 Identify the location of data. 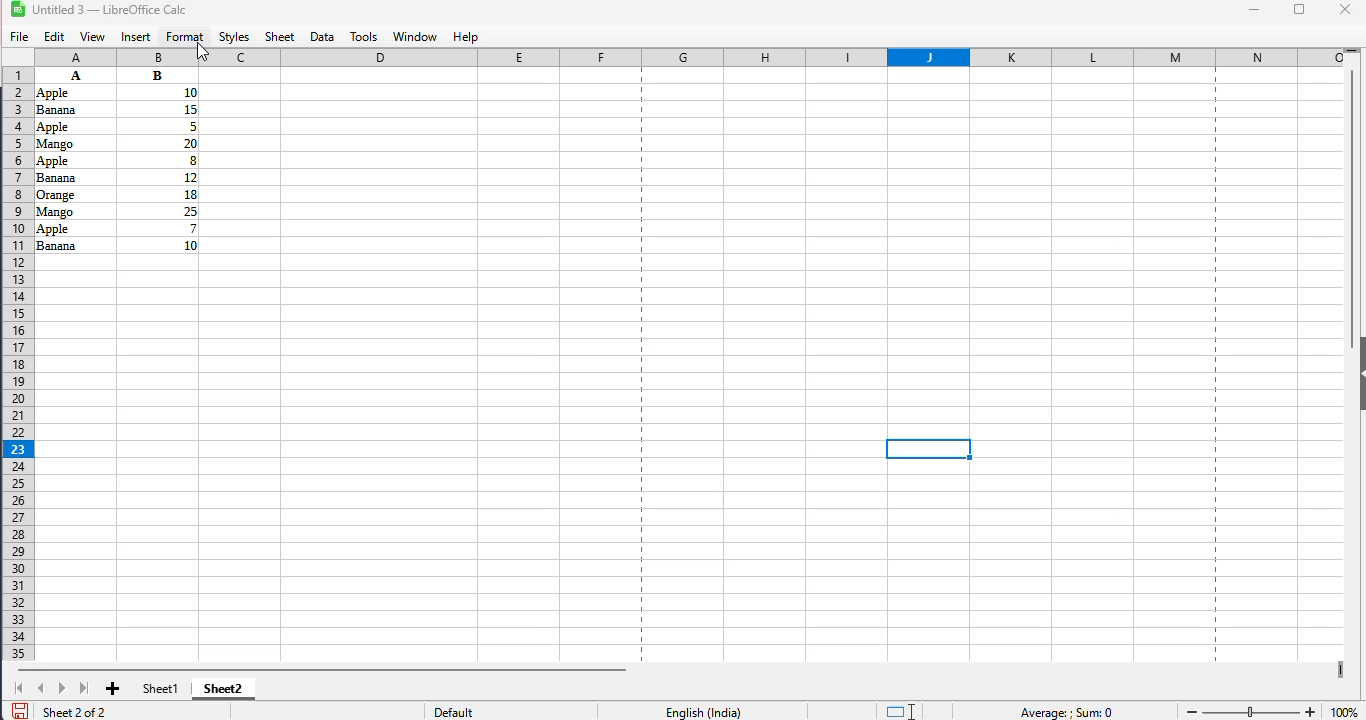
(322, 38).